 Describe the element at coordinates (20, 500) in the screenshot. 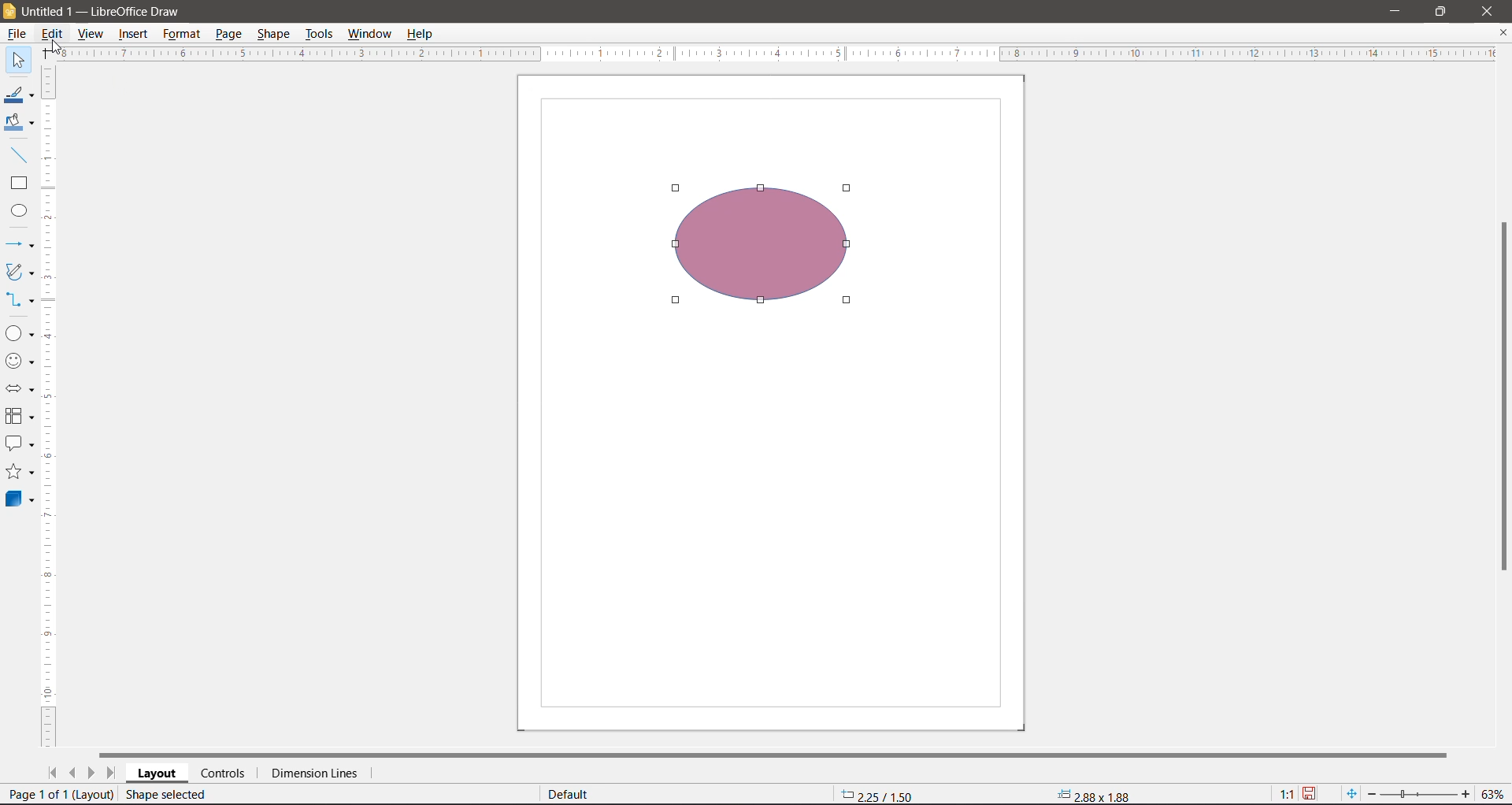

I see `3D Objects` at that location.